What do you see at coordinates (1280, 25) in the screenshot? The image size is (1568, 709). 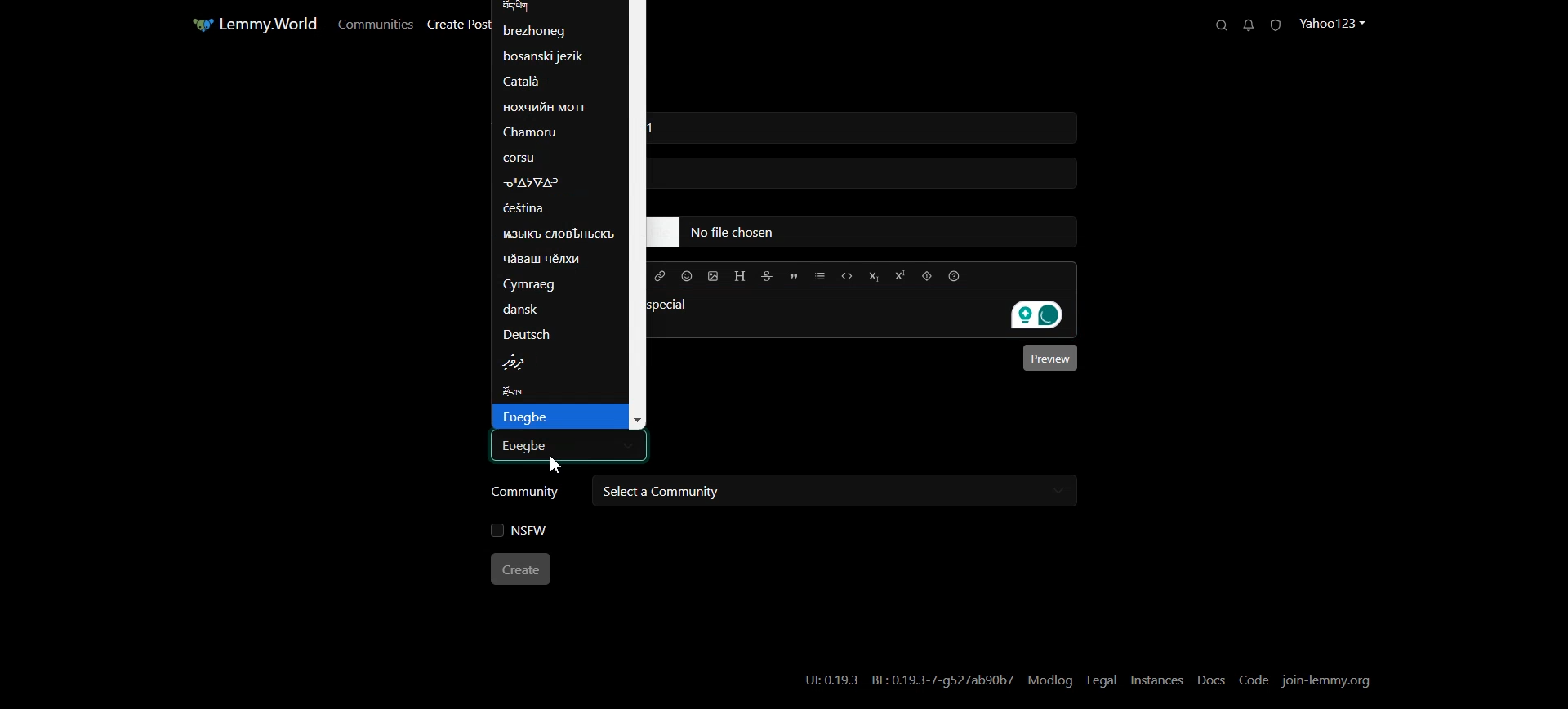 I see `Unread Report` at bounding box center [1280, 25].